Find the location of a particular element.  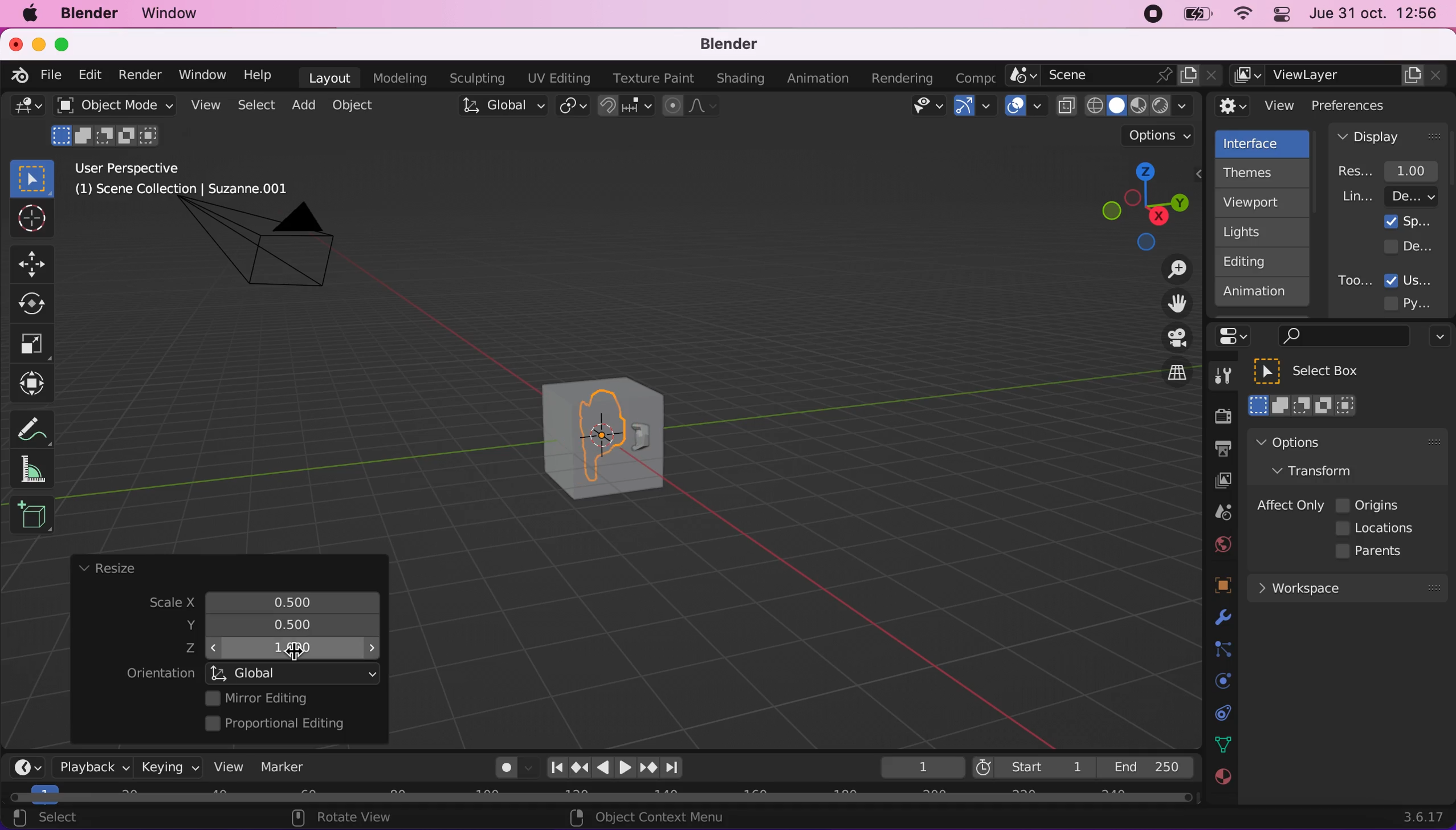

sculpting is located at coordinates (474, 78).